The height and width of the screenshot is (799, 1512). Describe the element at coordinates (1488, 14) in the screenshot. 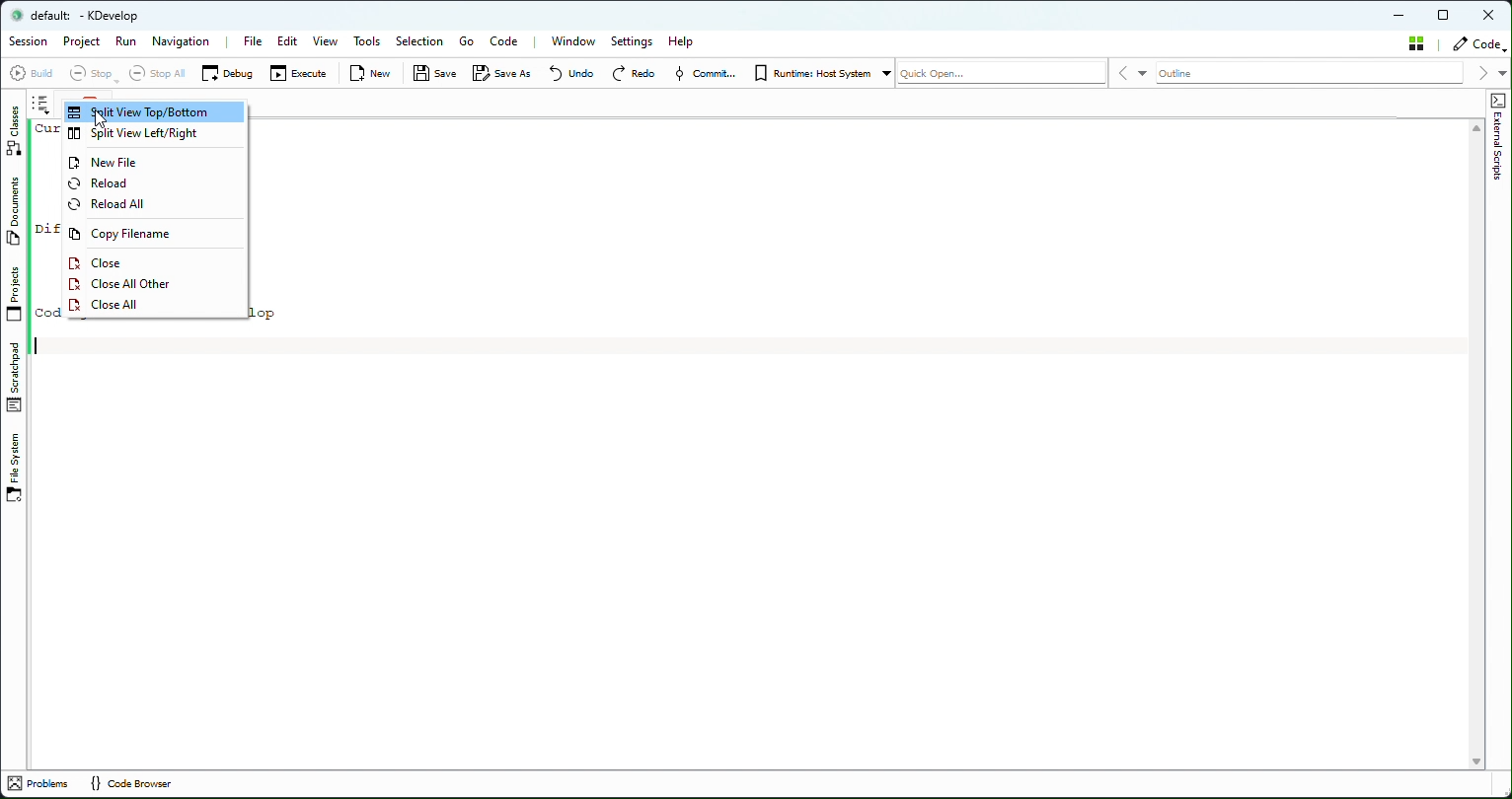

I see `Close` at that location.